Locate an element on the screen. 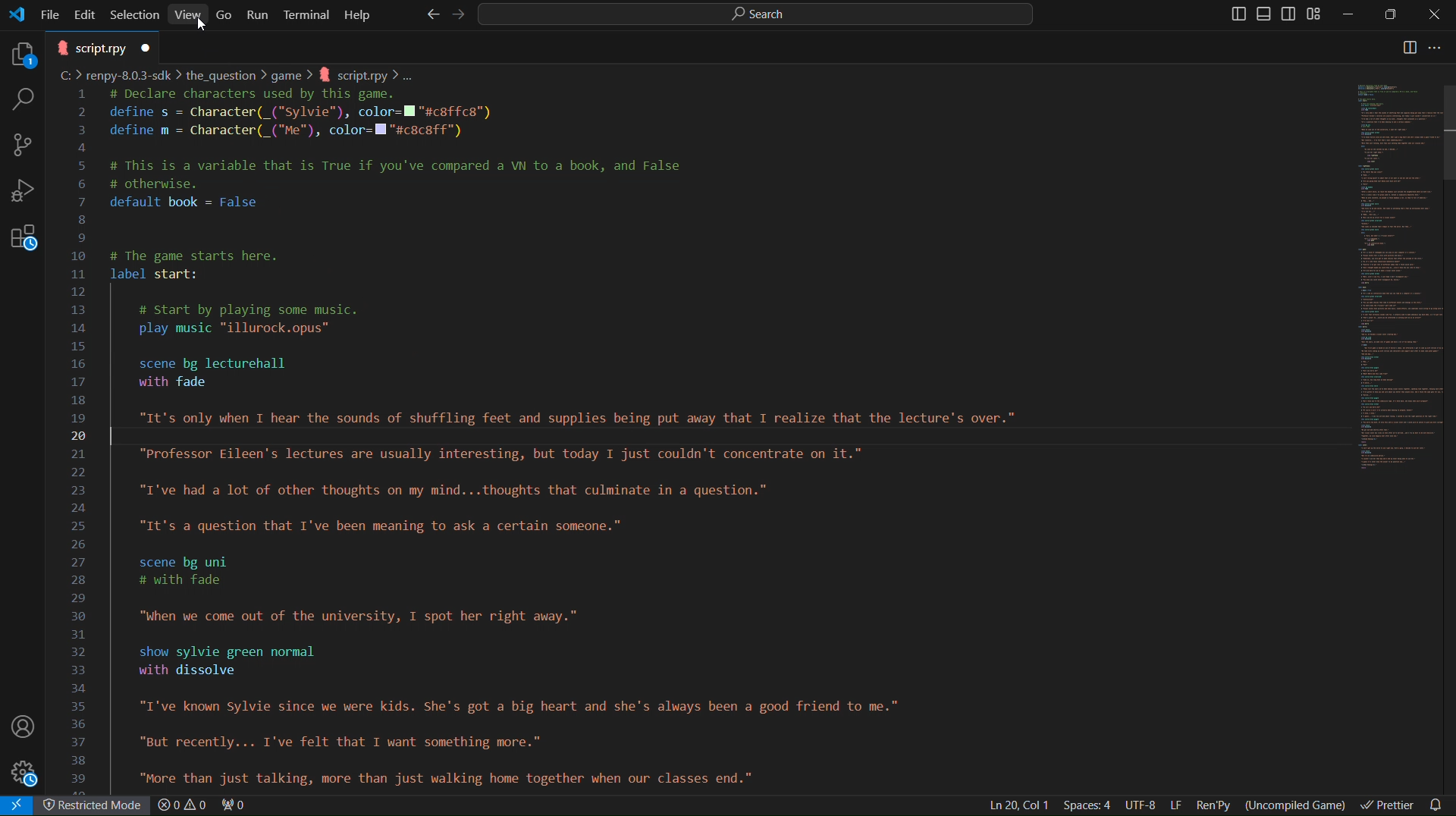 The image size is (1456, 816). # Declare characters used Dy this game.
define s = Character(_("sylvie"), color=H"#c8ffc8")
define m = Character(_("Me"), color=H"#c8c8ff")
# This is a variable that is True if you've compared a VN to a book, and False
# otherwise.
default book = False
# The game starts here.
label start:
# Start by playing some music.
play music "illurock.opus™
scene bg lecturehall
with fade
"It's only when I hear the sounds of shuffling feet and supplies being put away that I realize that the lecture's over."
“professor Eileen's lectures are usually interesting, but today I just couldn't concentrate on it."
"I've had a lot of other thoughts on my mind...thoughts that culminate in a question.”
"It's a question that I've been meaning to ask a certain someone.”
scene bg uni
# with fade
“When we come out of the university, I spot her right away."
show sylvie green normal
with dissolve
"I've known Sylvie since we were kids. She's got a big heart and she's always been a good friend to me.”
"But recently... I've felt that I want something more."
“More than just talking, more than just walking home together when our classes end." is located at coordinates (570, 439).